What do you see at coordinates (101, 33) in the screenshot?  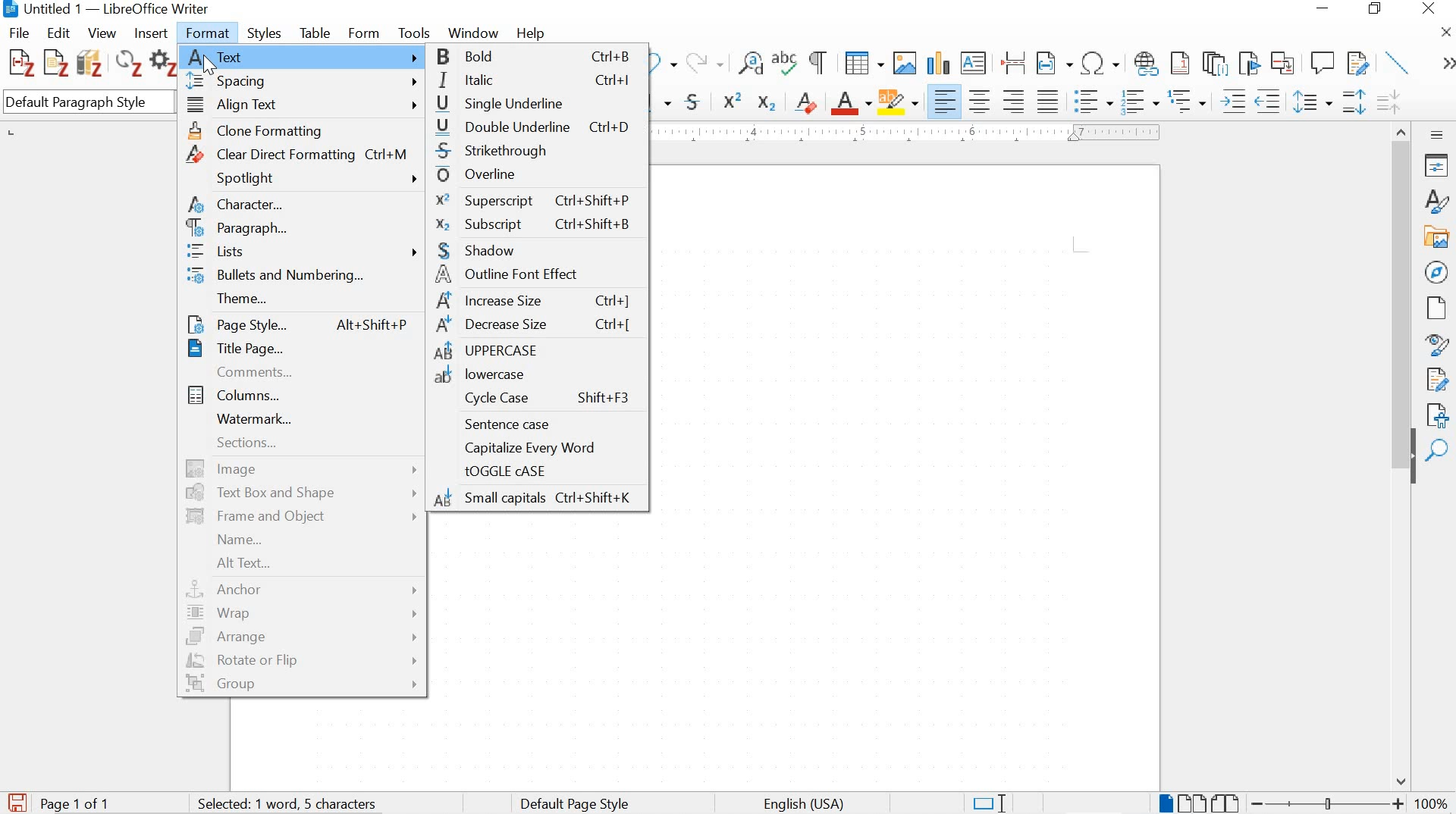 I see `view` at bounding box center [101, 33].